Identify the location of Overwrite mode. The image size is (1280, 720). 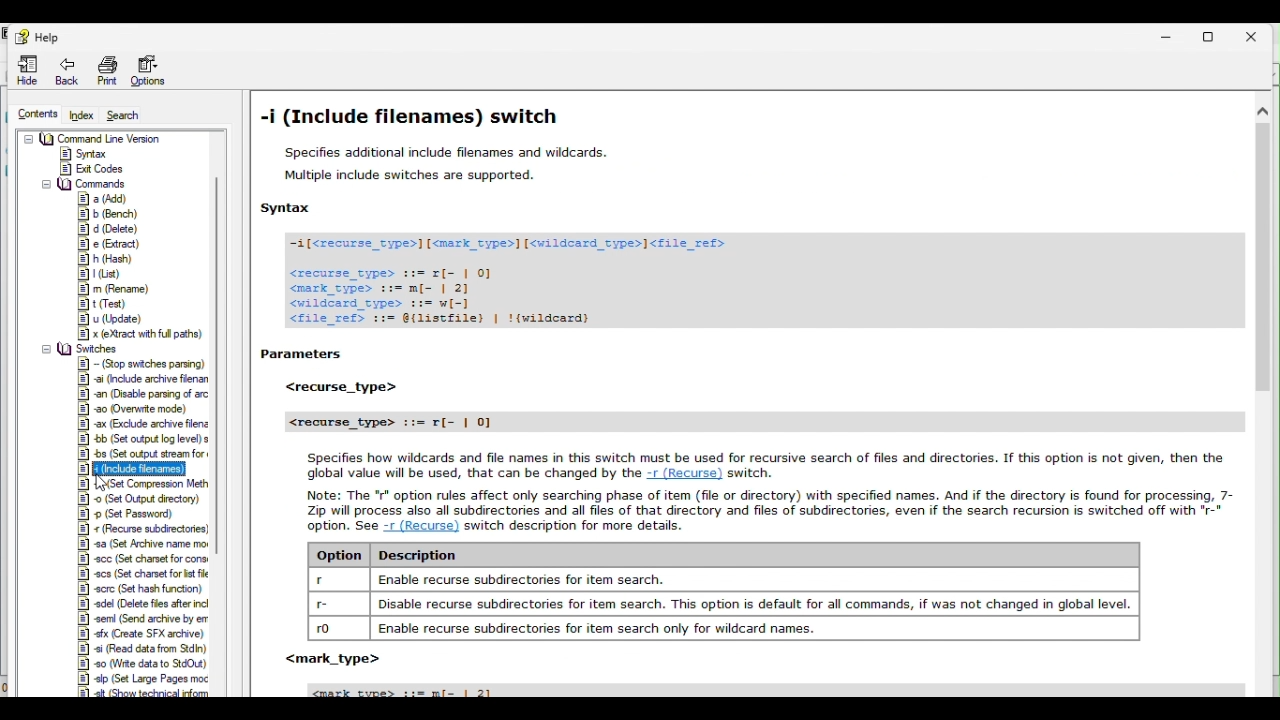
(136, 410).